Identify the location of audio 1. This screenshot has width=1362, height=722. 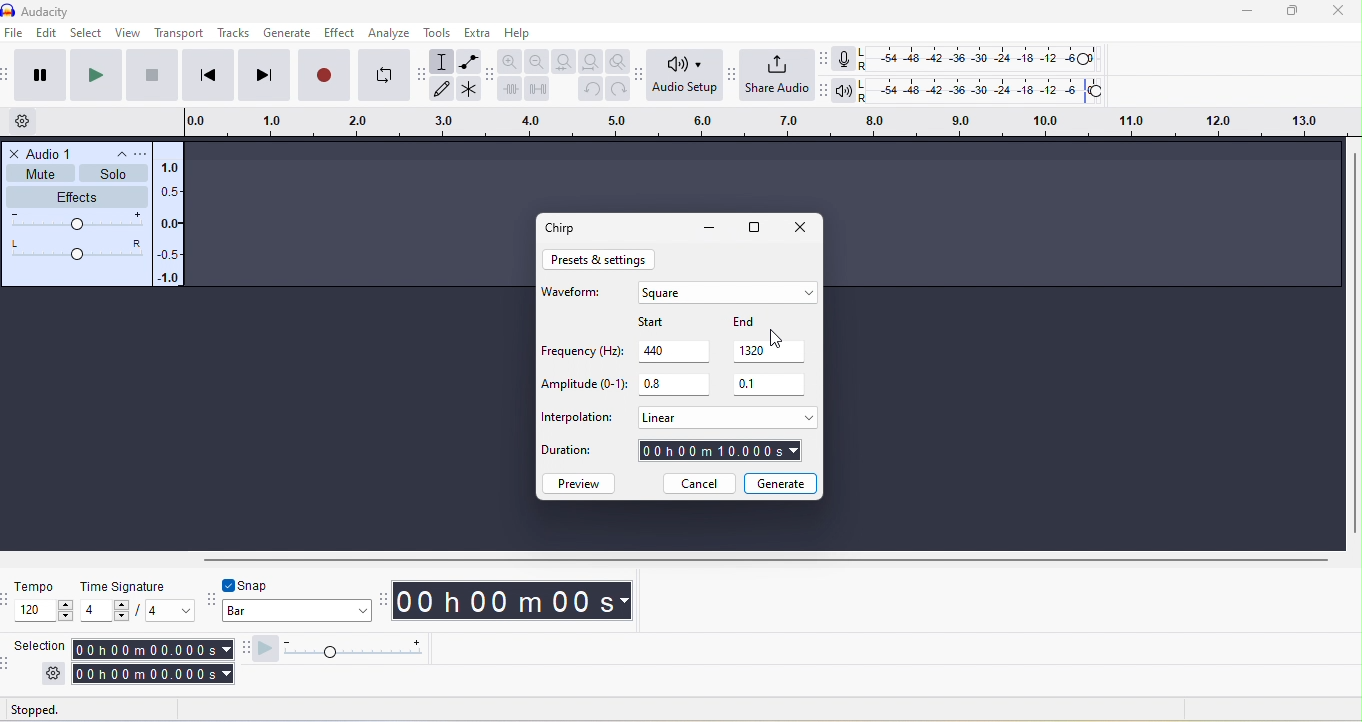
(52, 152).